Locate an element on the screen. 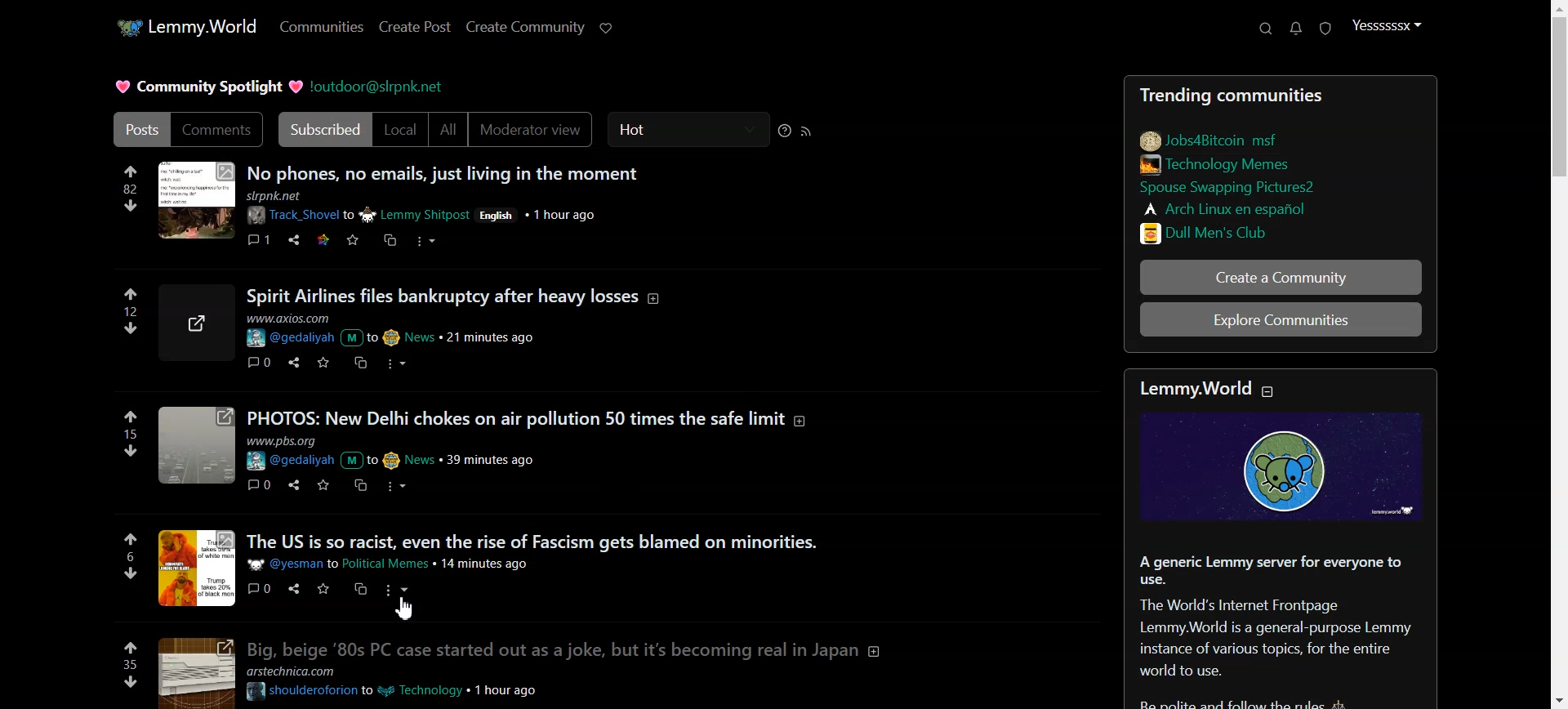 This screenshot has height=709, width=1568. image is located at coordinates (1288, 468).